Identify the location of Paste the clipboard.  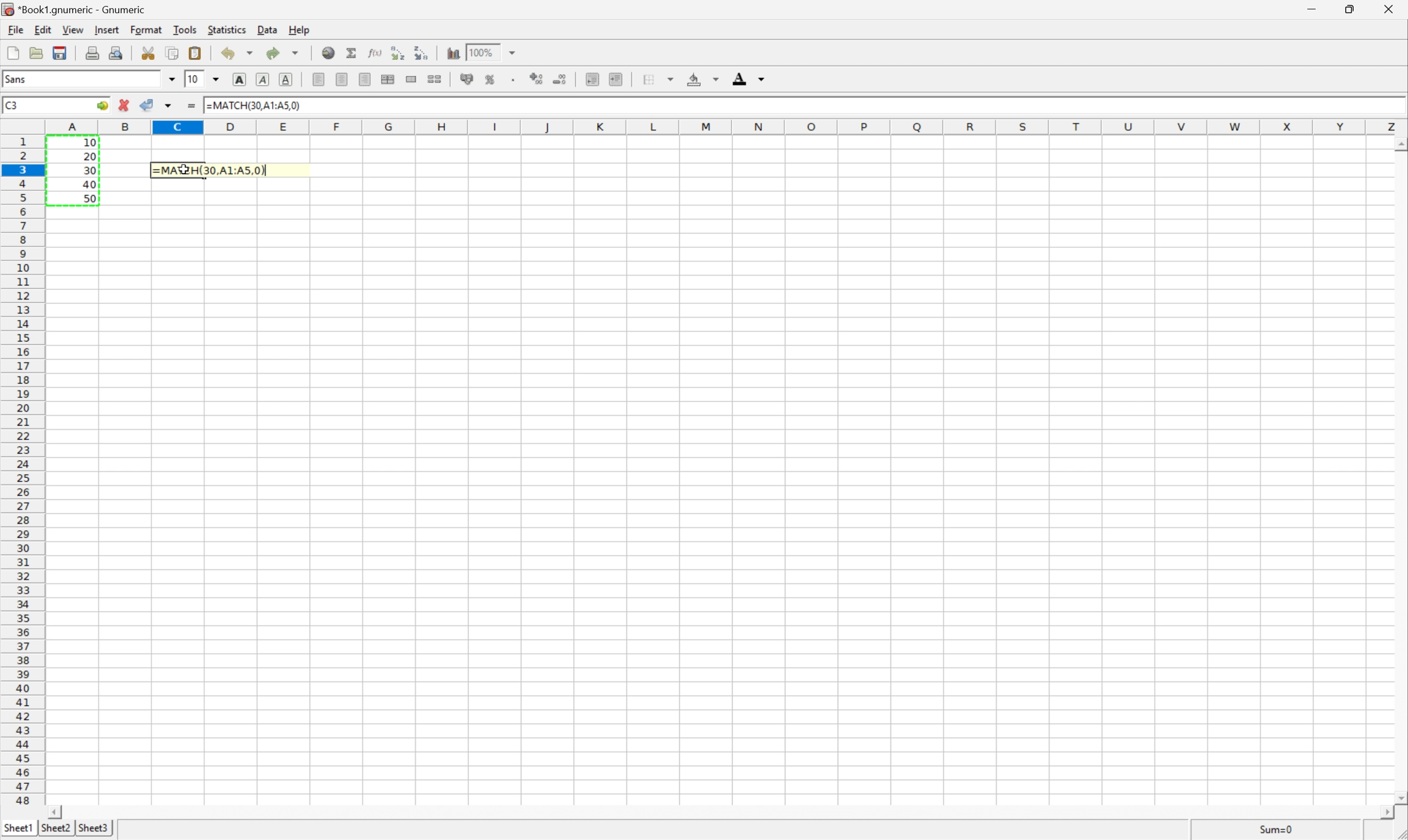
(195, 53).